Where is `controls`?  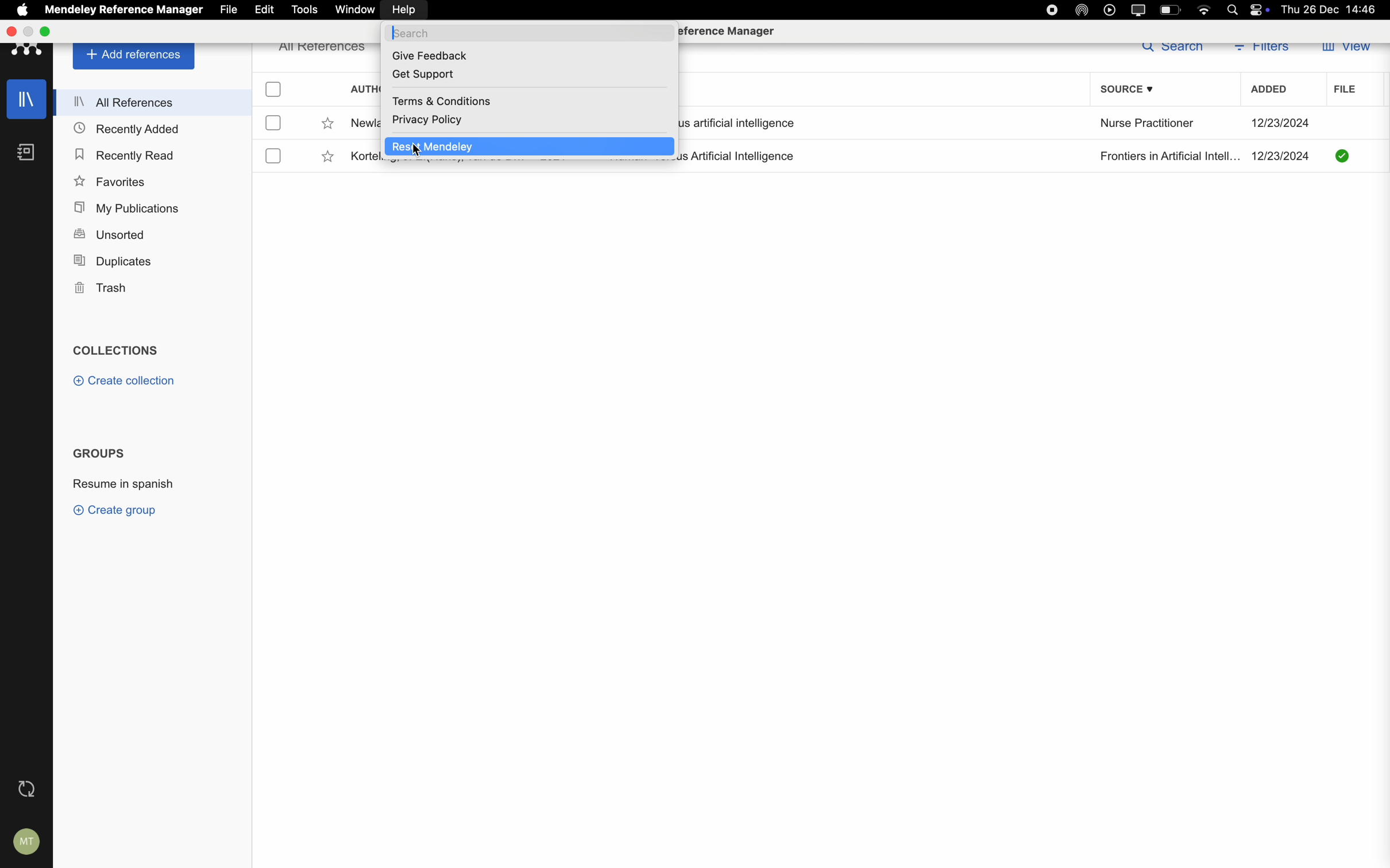 controls is located at coordinates (1262, 9).